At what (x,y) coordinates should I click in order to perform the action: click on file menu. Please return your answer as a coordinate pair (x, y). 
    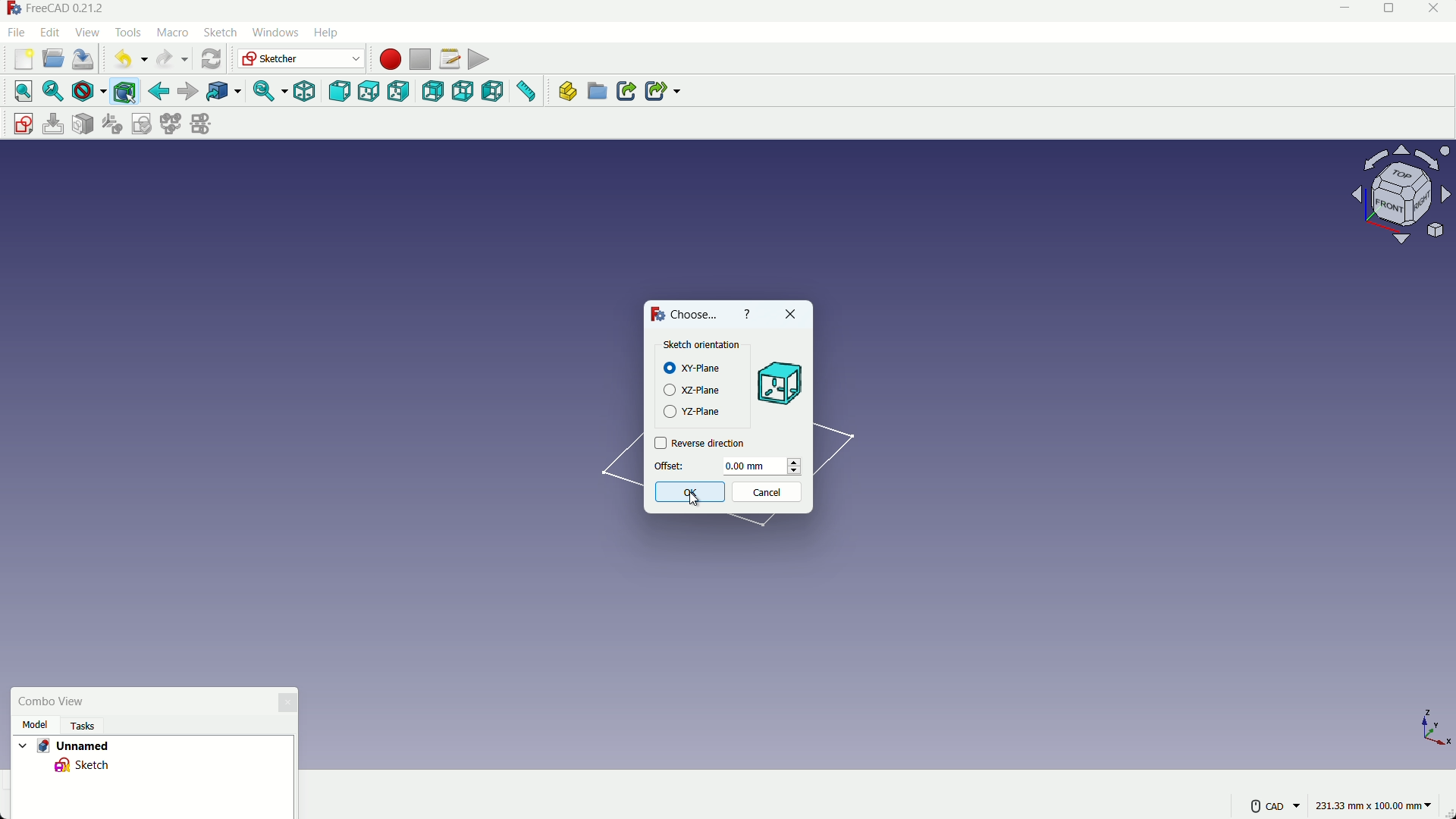
    Looking at the image, I should click on (18, 32).